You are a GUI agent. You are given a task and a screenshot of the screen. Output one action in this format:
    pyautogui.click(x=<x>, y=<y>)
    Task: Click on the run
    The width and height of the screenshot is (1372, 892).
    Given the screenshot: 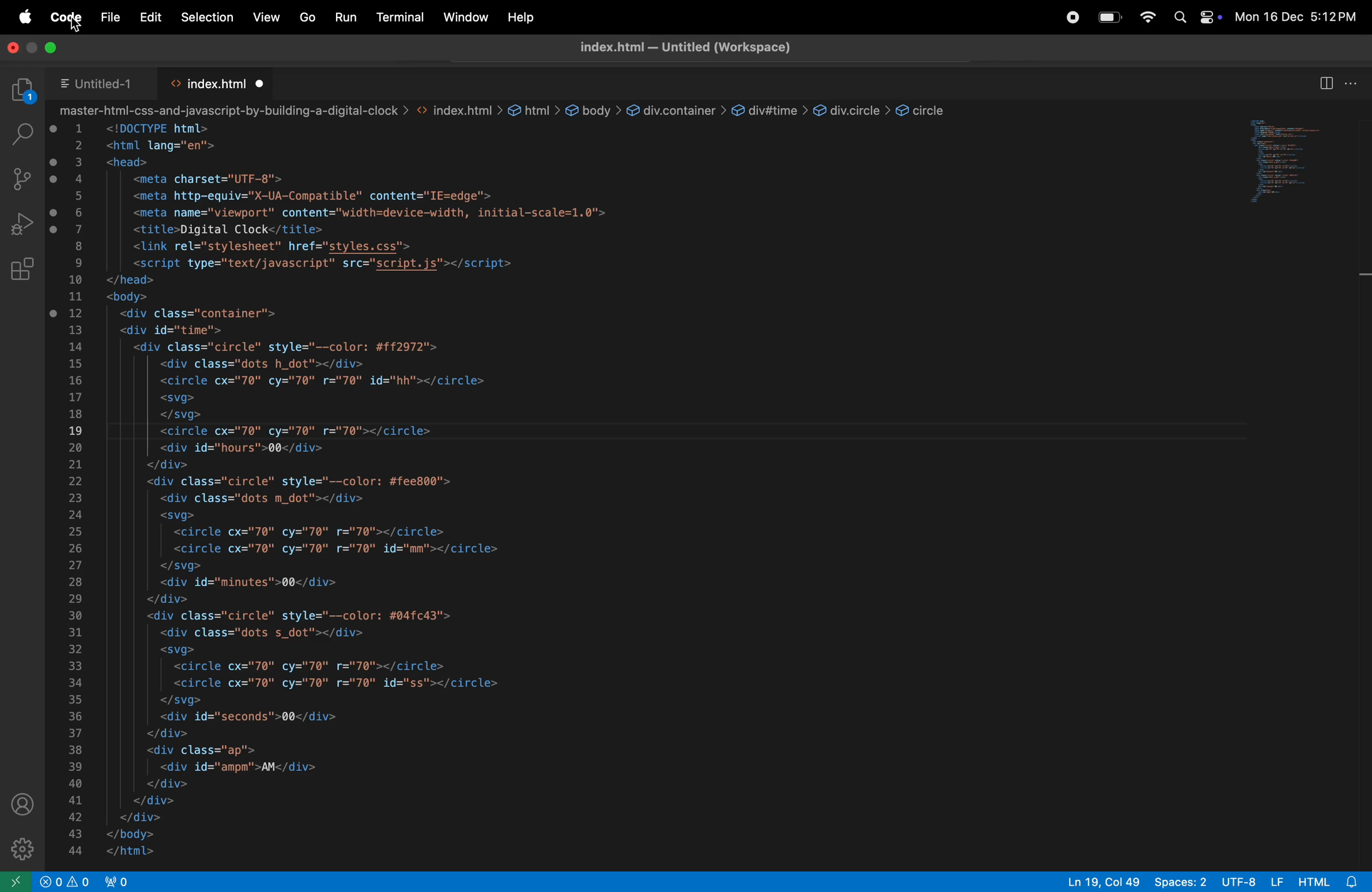 What is the action you would take?
    pyautogui.click(x=345, y=17)
    